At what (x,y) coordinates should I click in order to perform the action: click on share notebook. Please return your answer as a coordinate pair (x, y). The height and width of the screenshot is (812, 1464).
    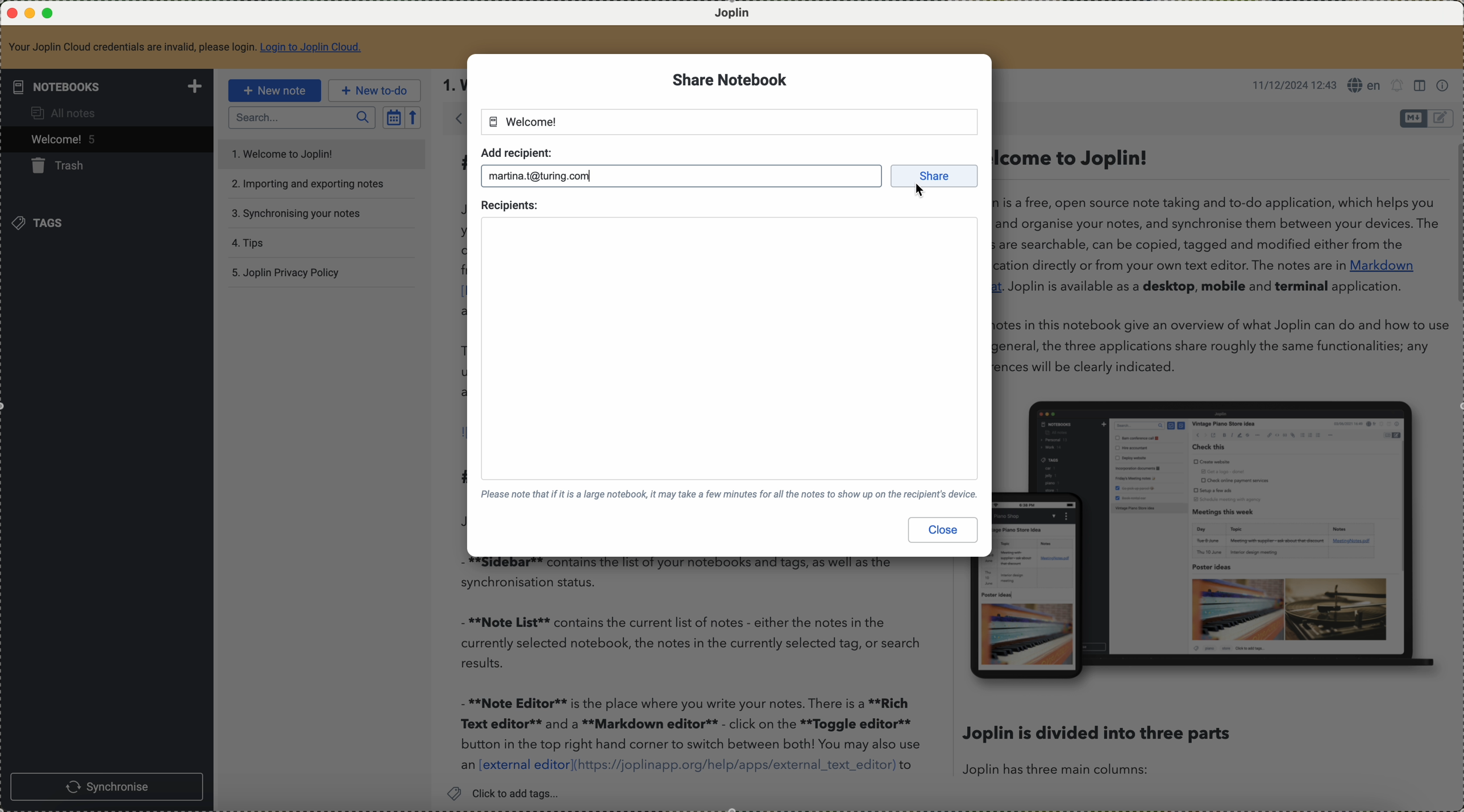
    Looking at the image, I should click on (730, 81).